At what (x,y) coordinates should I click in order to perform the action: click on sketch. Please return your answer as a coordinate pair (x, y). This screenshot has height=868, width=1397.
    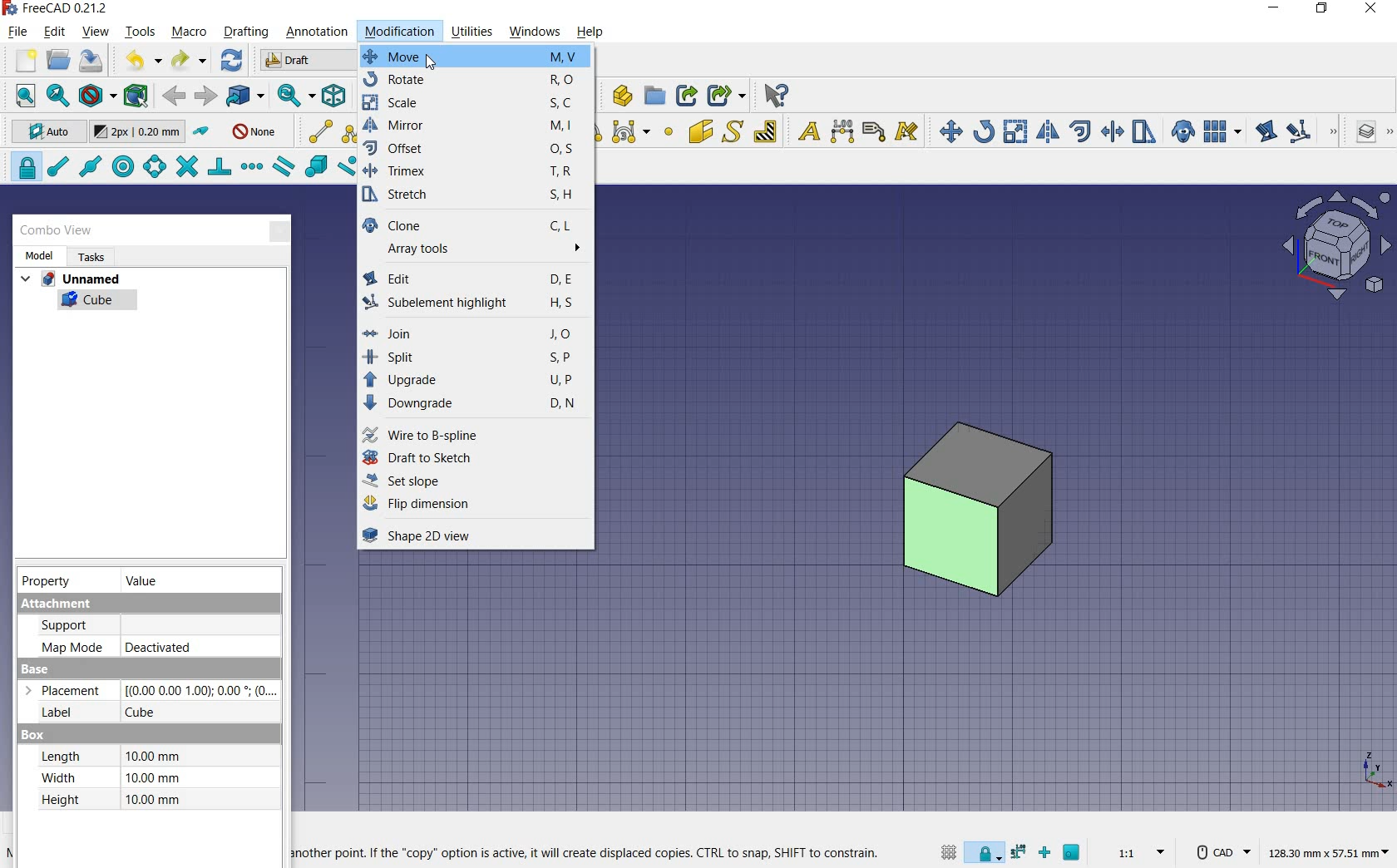
    Looking at the image, I should click on (476, 196).